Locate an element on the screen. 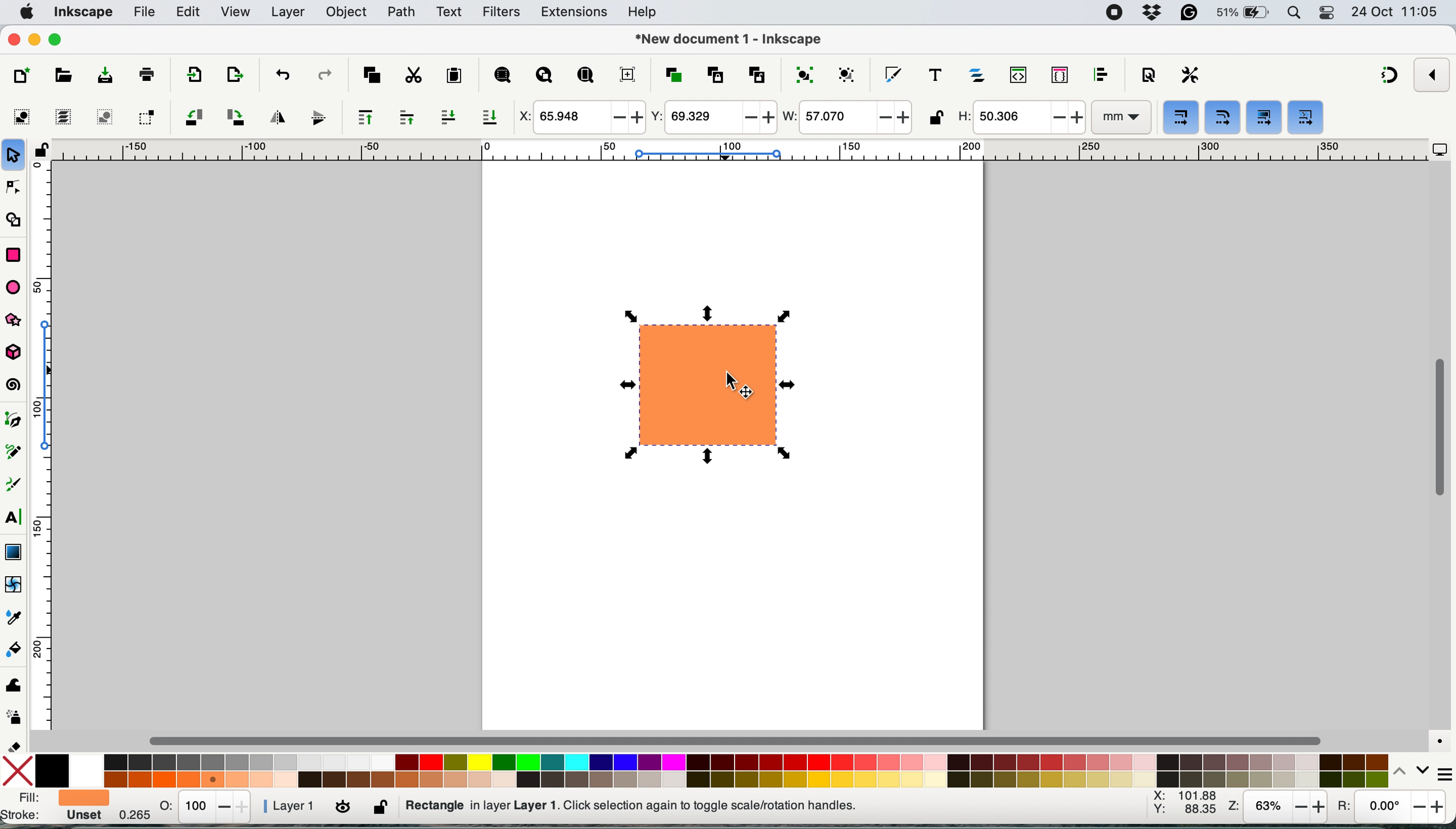 This screenshot has height=829, width=1456. object rotate 90 is located at coordinates (234, 116).